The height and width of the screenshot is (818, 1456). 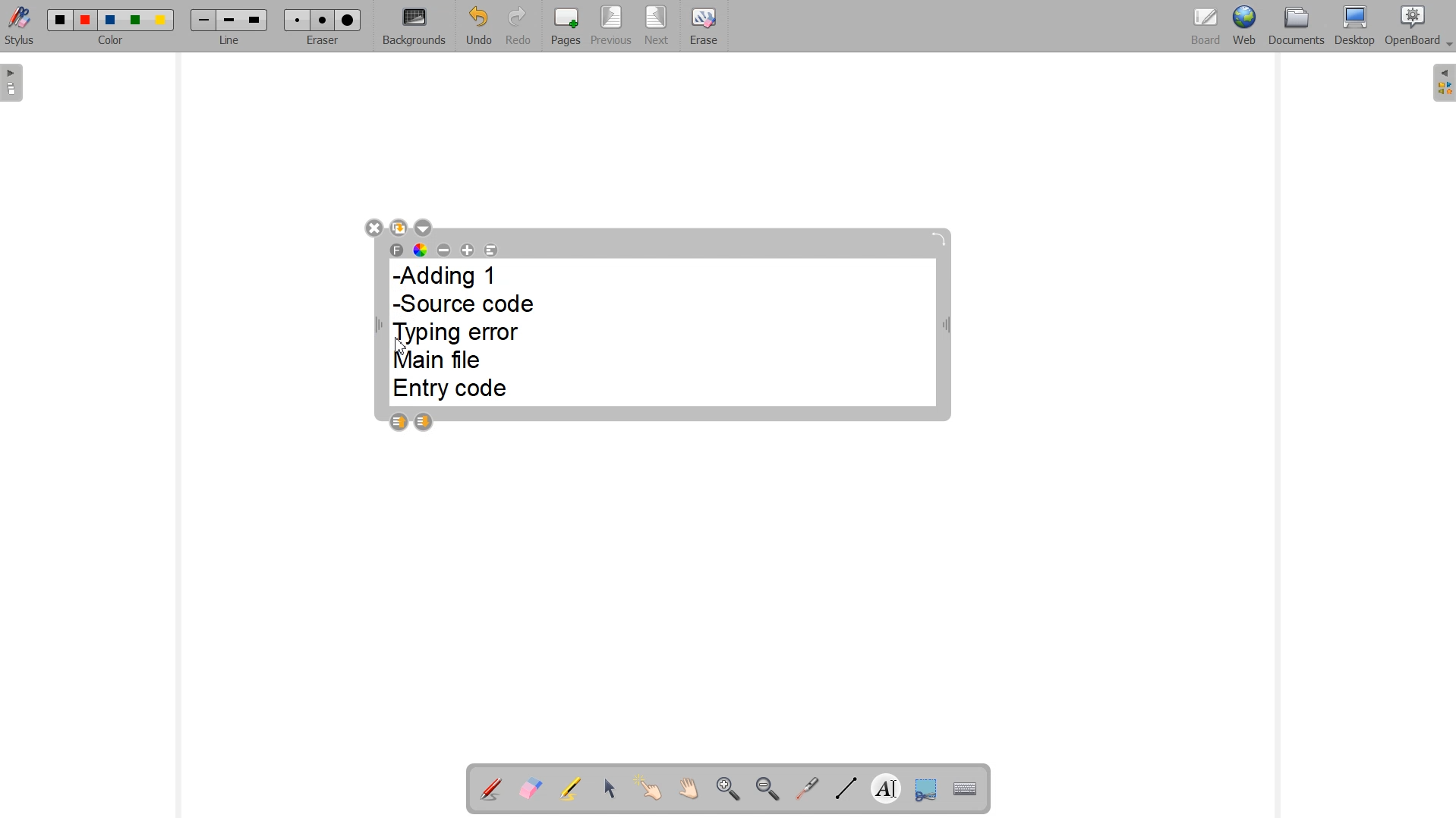 I want to click on Scroll page, so click(x=689, y=790).